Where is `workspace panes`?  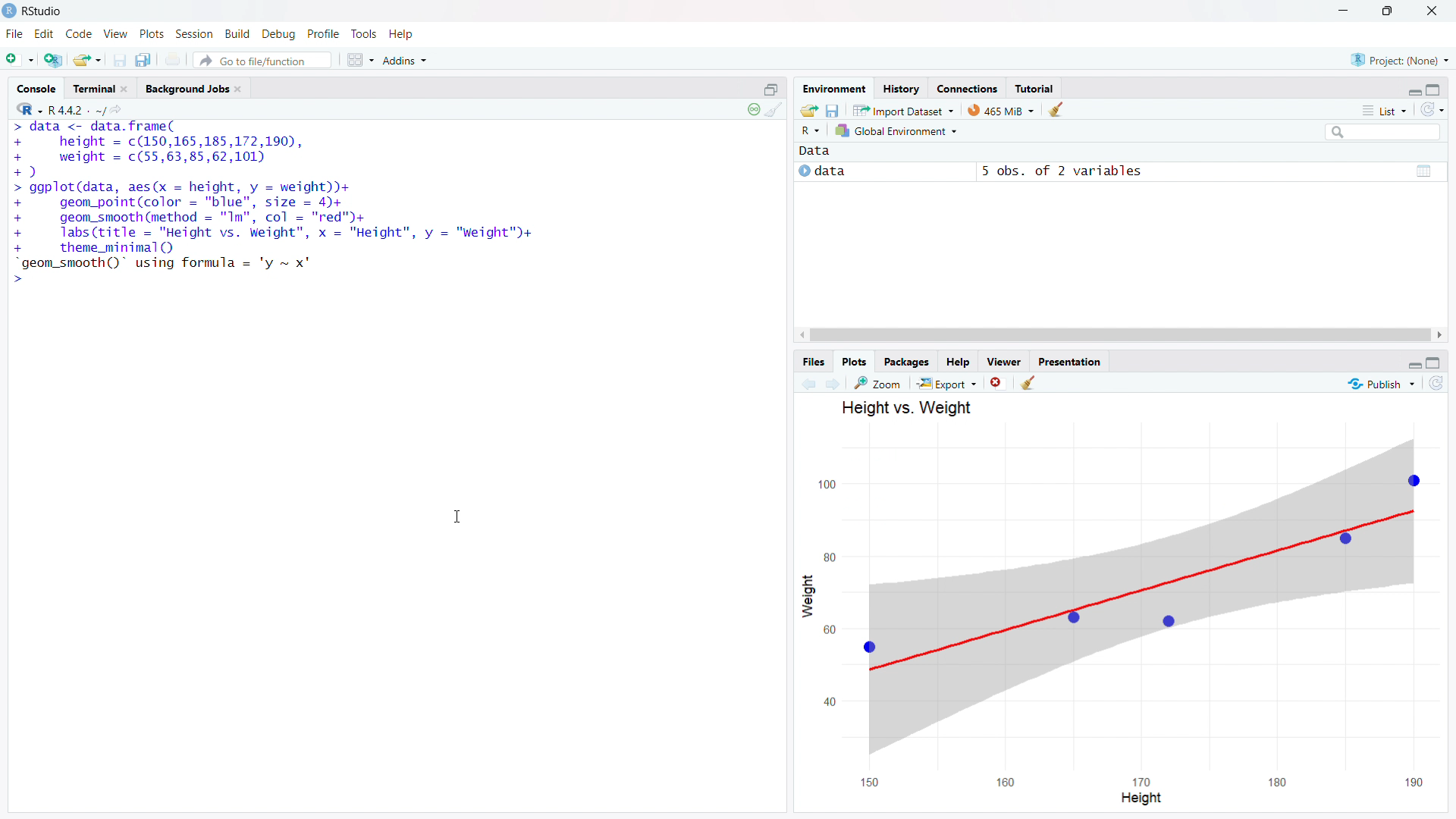
workspace panes is located at coordinates (359, 60).